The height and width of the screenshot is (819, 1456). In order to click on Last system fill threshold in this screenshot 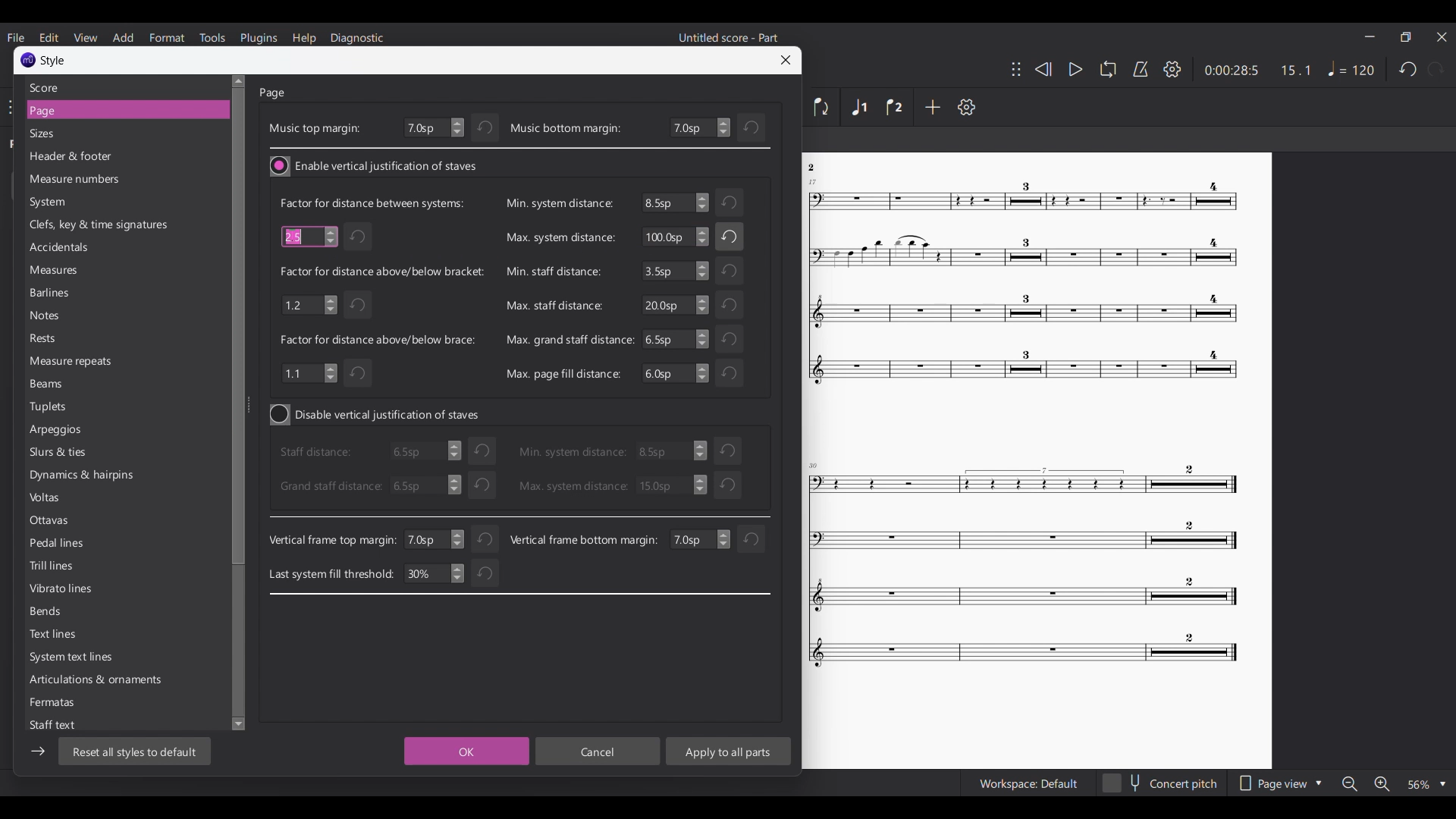, I will do `click(333, 574)`.